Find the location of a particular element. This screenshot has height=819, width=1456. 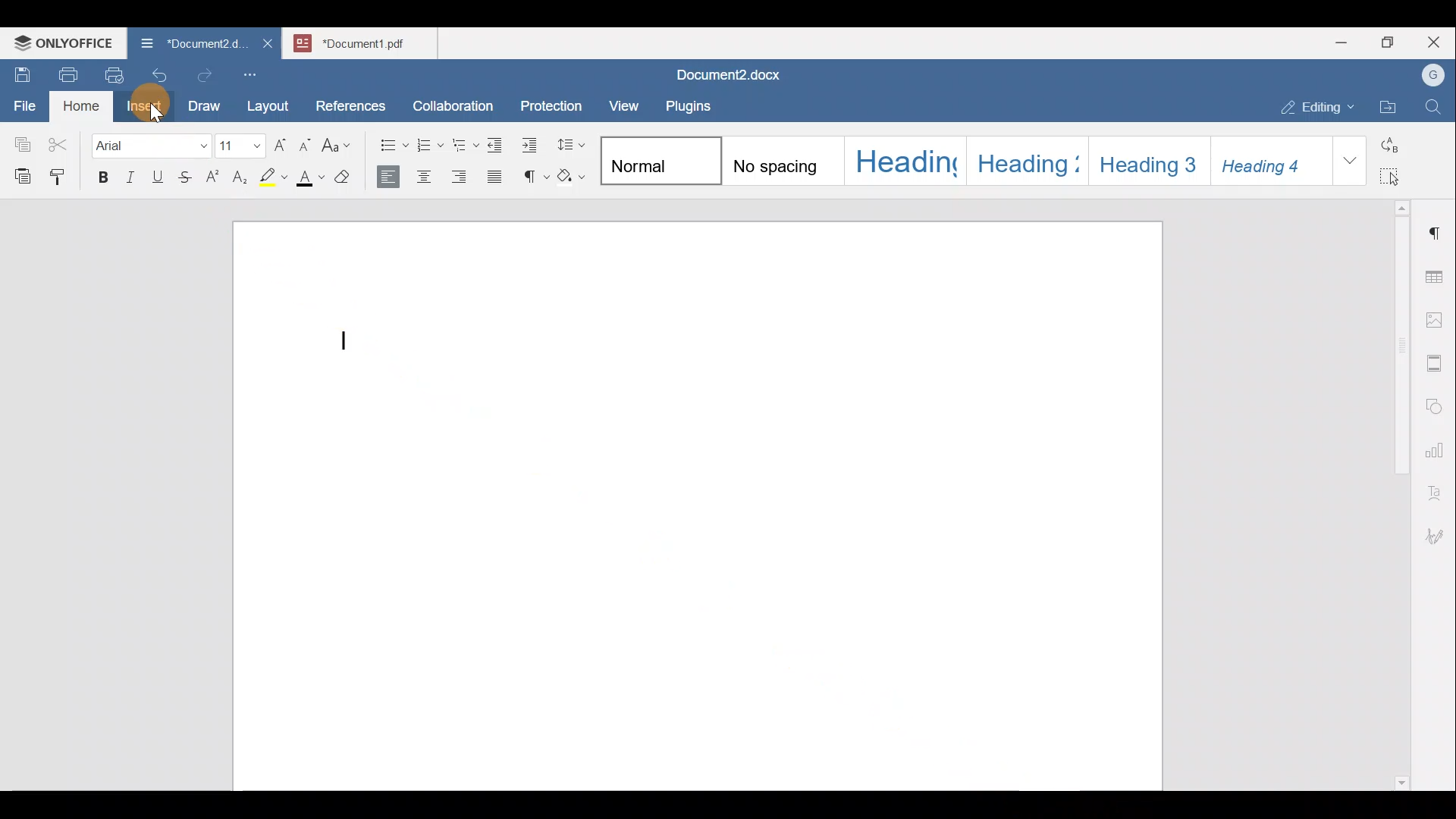

Open file location is located at coordinates (1392, 108).